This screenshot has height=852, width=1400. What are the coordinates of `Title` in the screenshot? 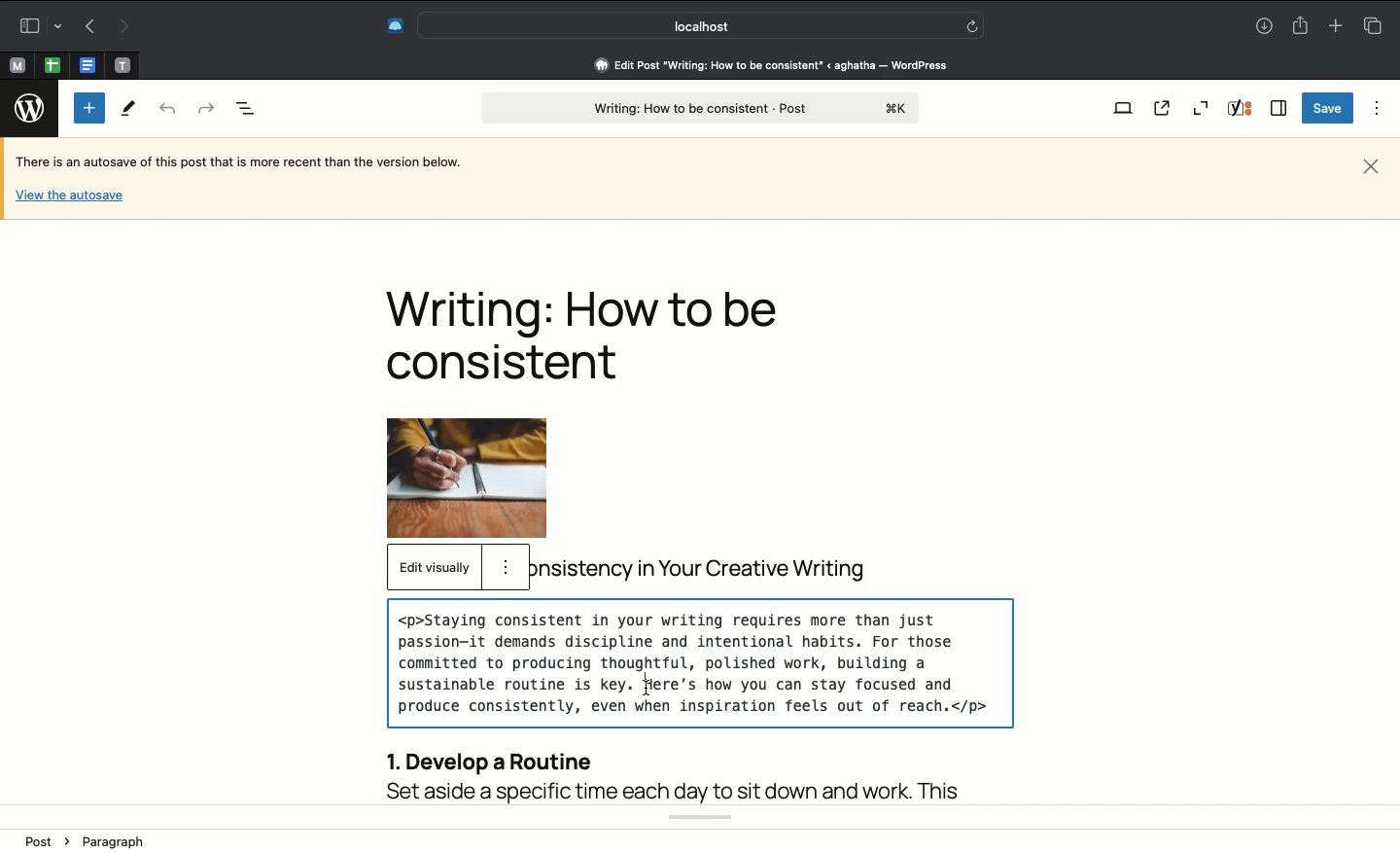 It's located at (592, 335).